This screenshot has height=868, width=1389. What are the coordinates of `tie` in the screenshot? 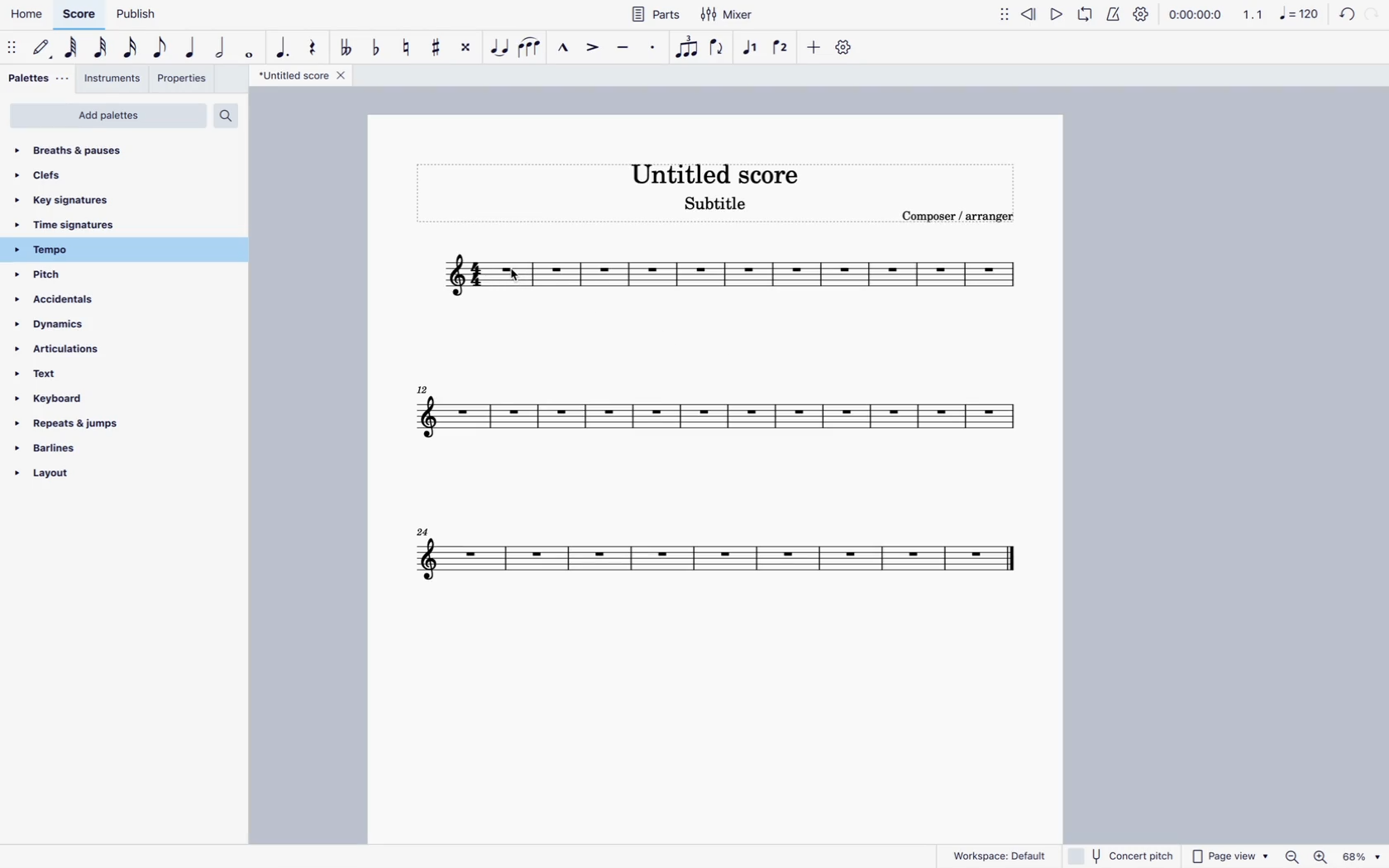 It's located at (499, 48).